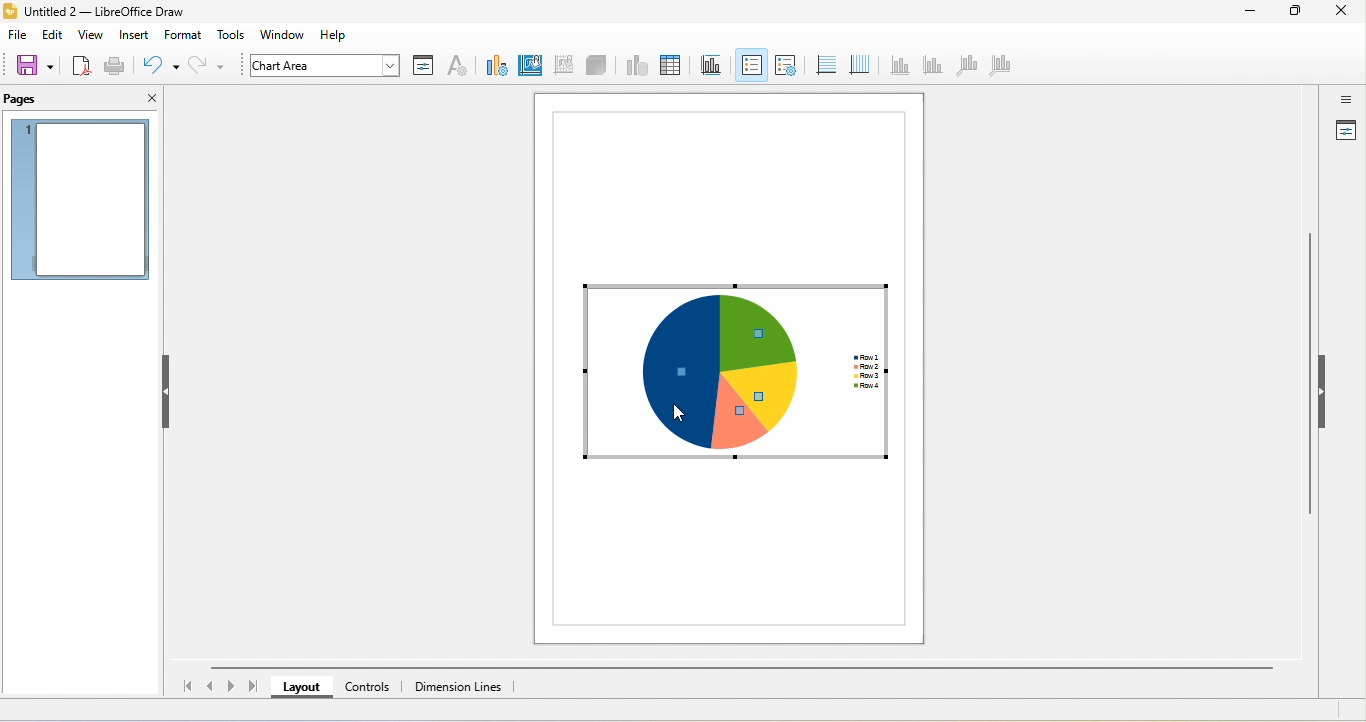 The height and width of the screenshot is (722, 1366). Describe the element at coordinates (732, 372) in the screenshot. I see `all data points marked` at that location.